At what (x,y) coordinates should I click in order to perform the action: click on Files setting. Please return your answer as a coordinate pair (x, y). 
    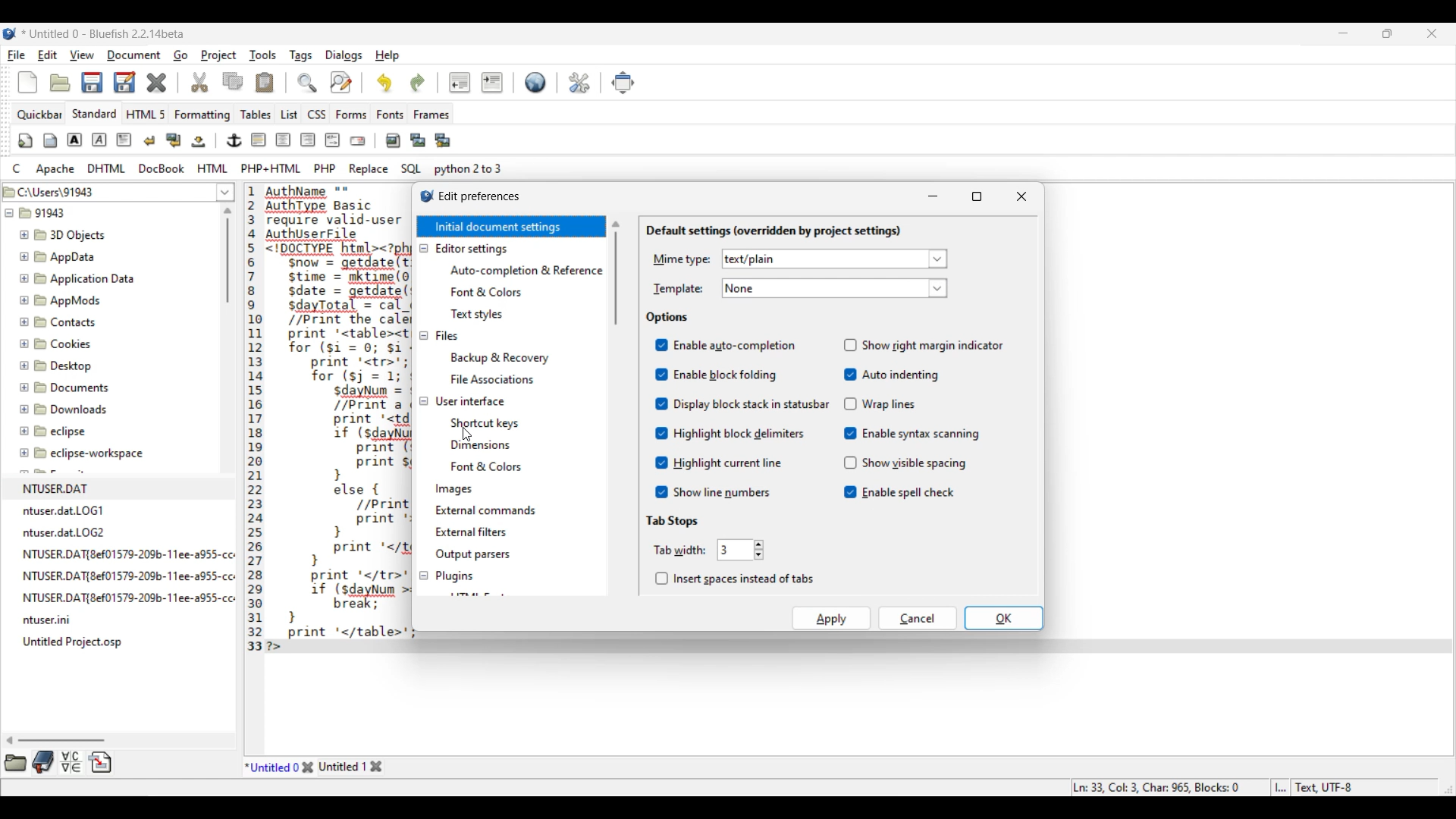
    Looking at the image, I should click on (447, 335).